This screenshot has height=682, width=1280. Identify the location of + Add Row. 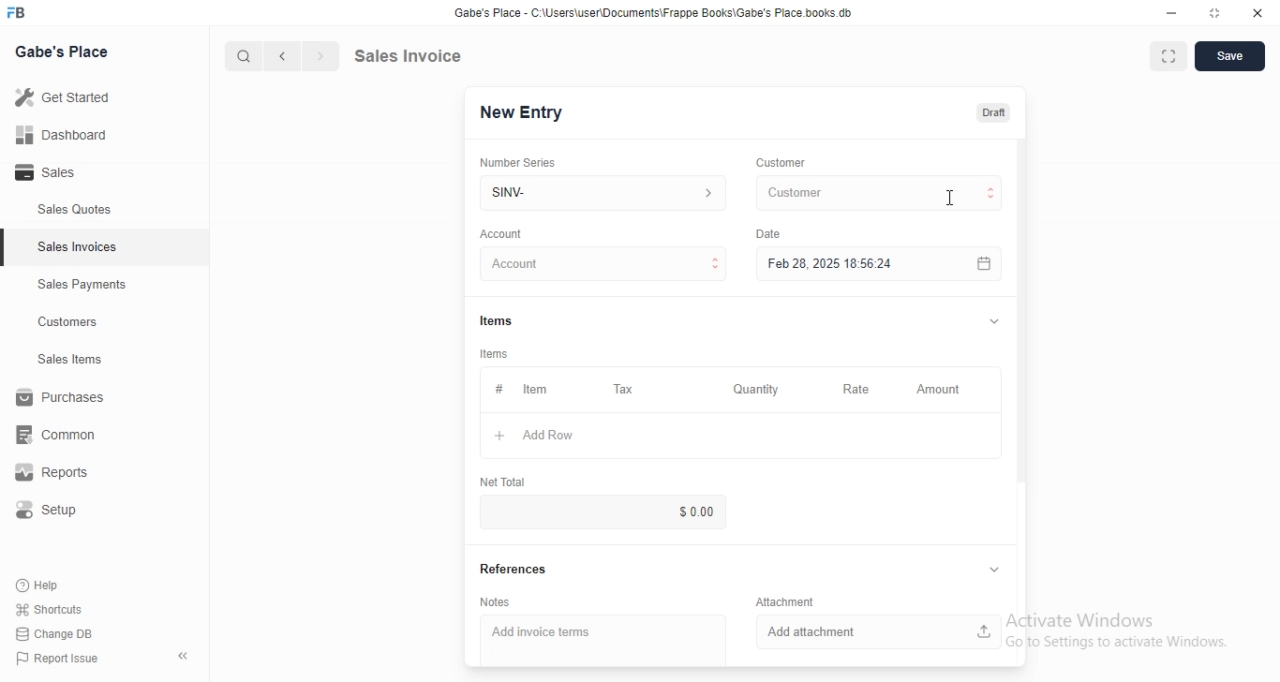
(557, 436).